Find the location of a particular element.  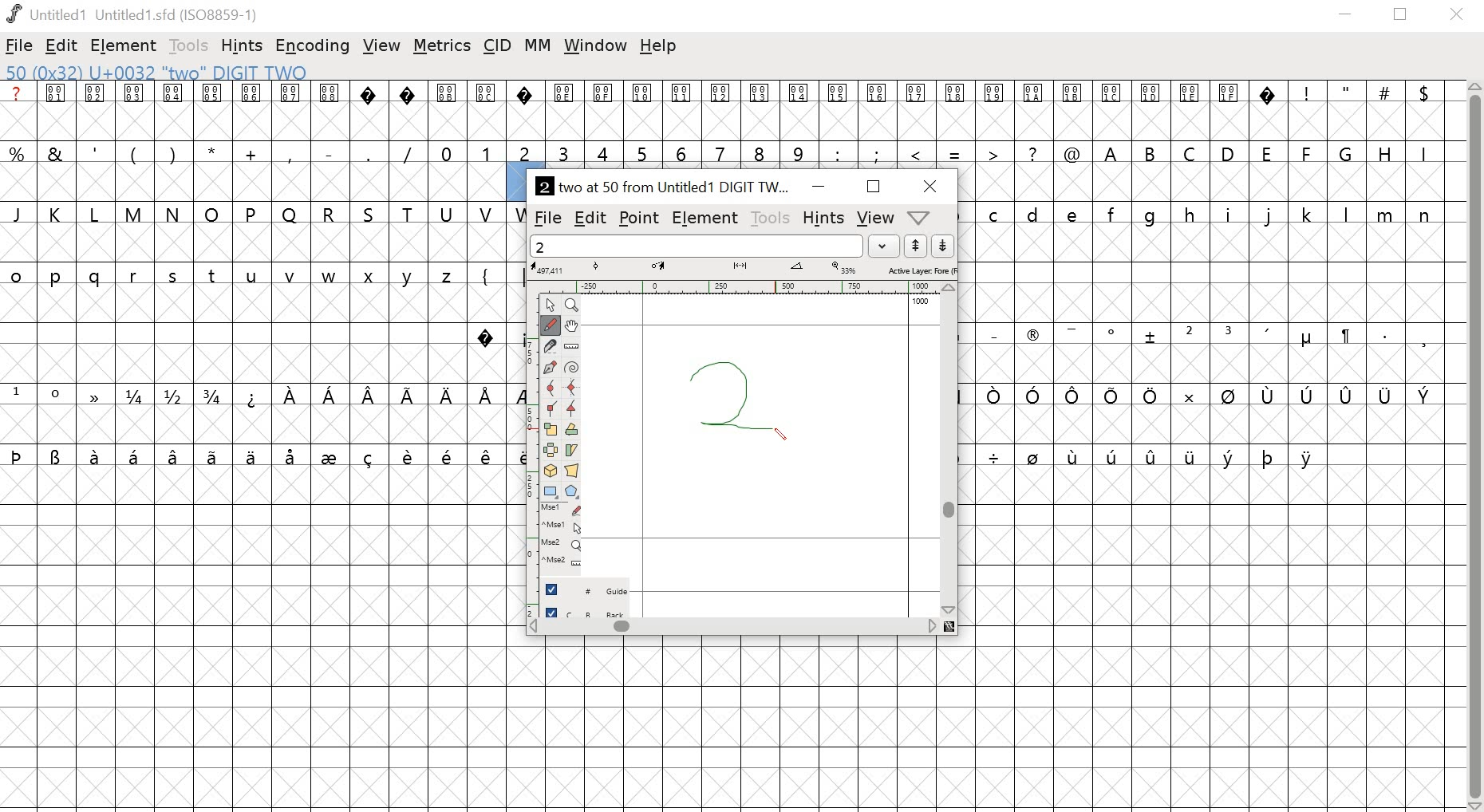

view is located at coordinates (384, 44).